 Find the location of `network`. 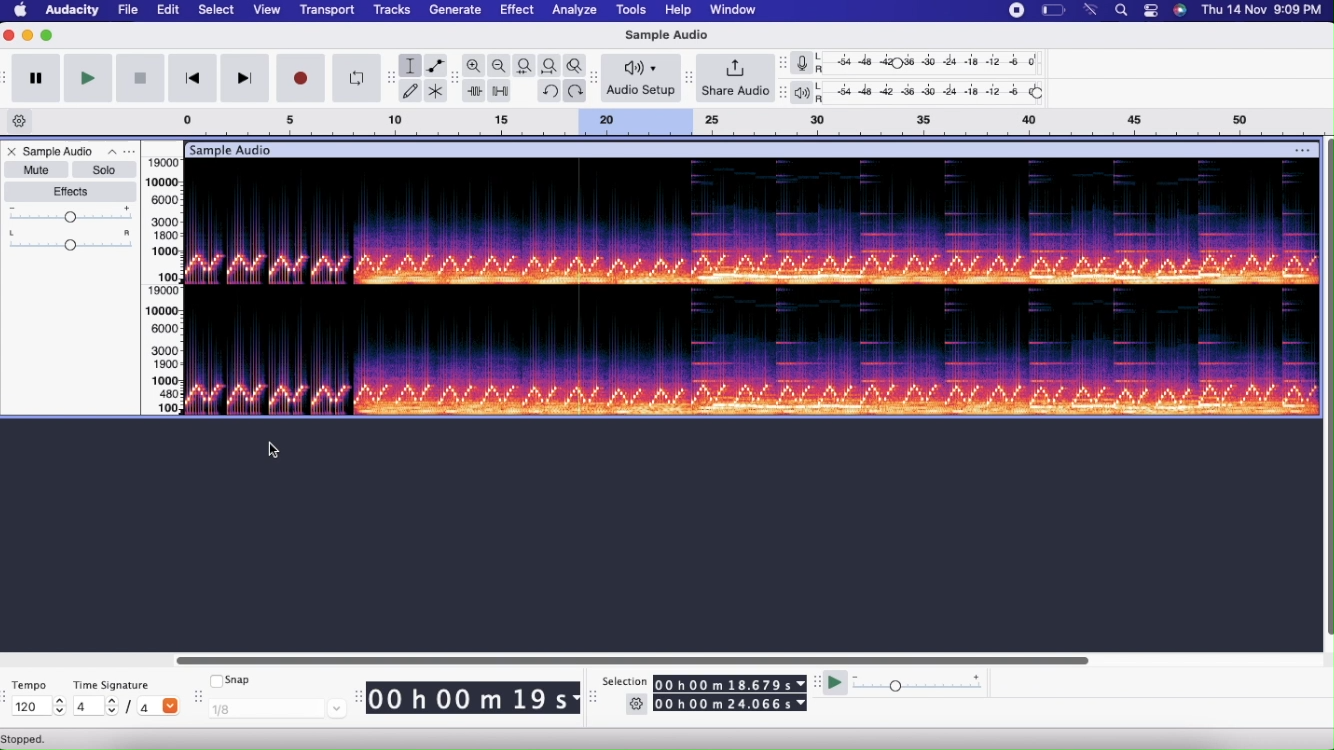

network is located at coordinates (1090, 11).